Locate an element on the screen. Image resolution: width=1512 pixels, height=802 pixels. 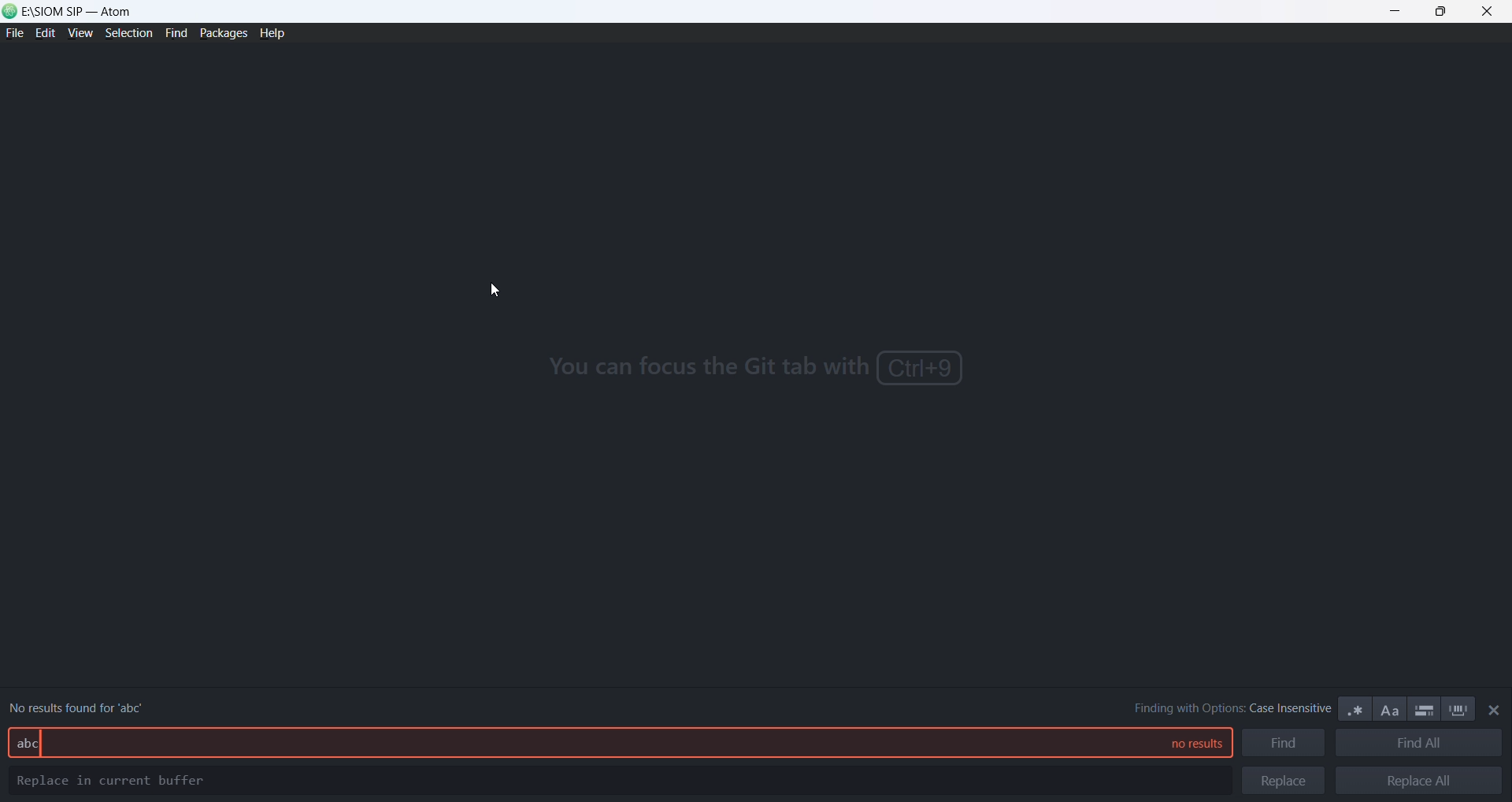
finding with options : case sensitive is located at coordinates (1222, 708).